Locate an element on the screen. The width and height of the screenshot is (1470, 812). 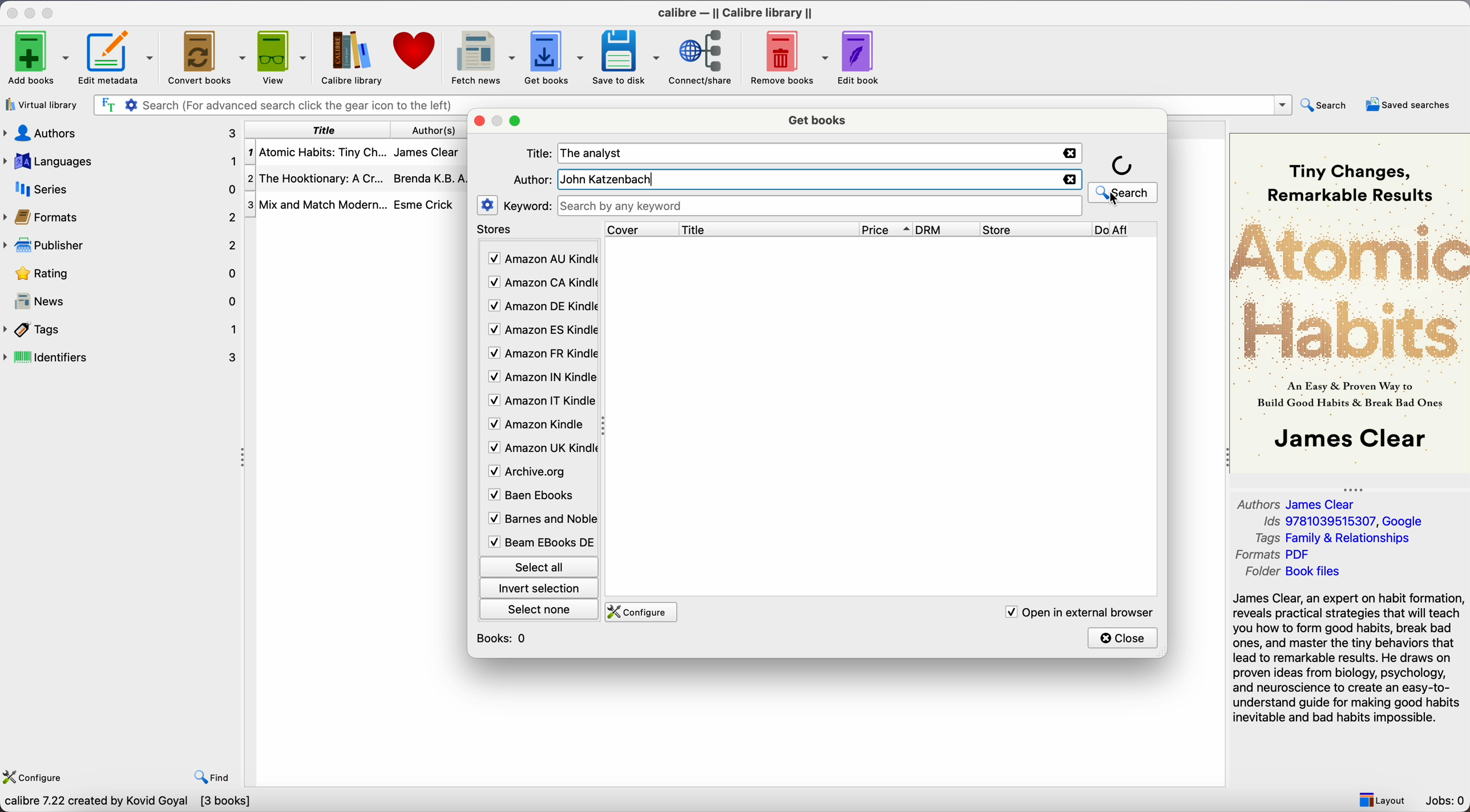
news is located at coordinates (123, 302).